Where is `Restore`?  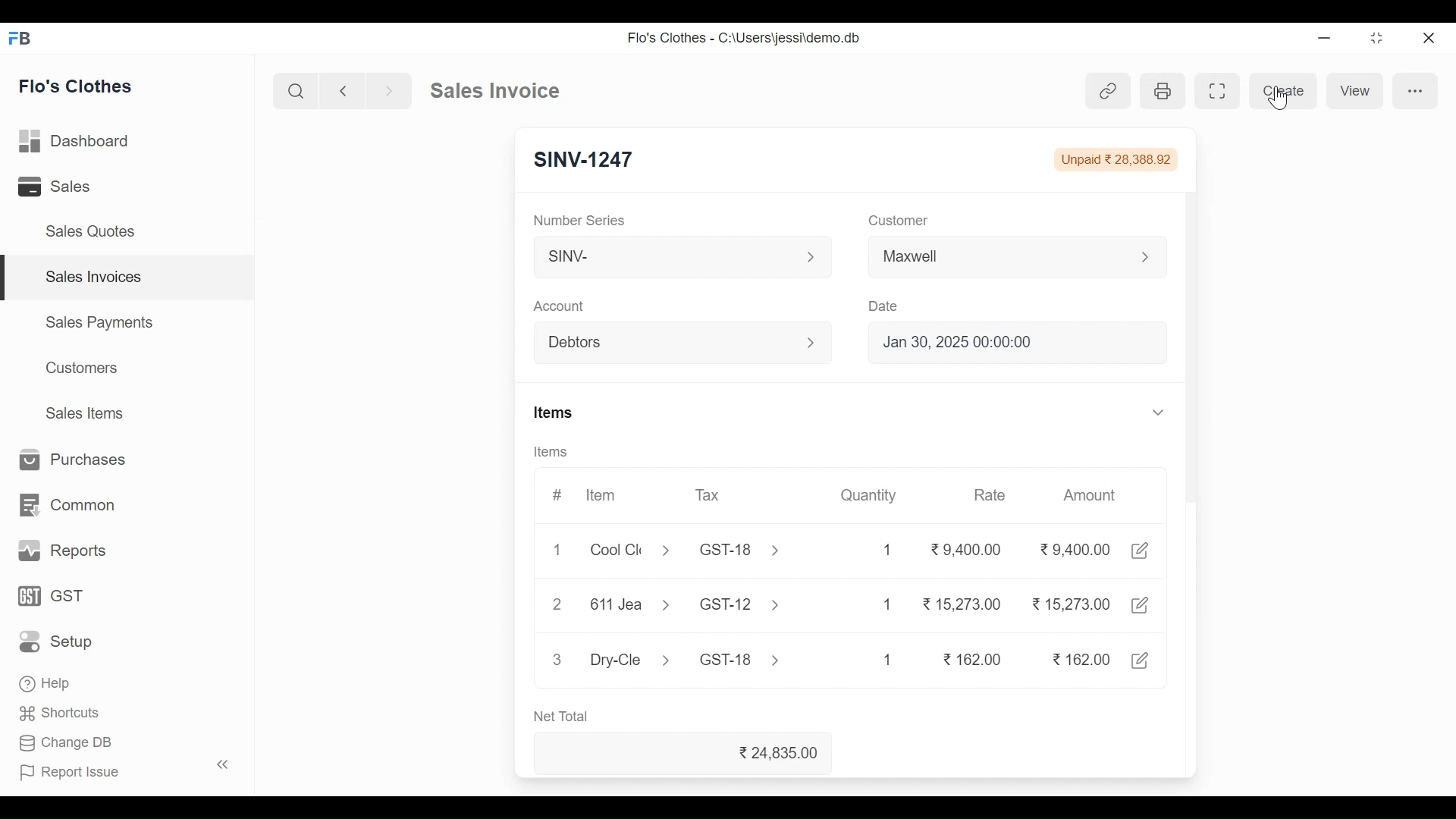
Restore is located at coordinates (1377, 39).